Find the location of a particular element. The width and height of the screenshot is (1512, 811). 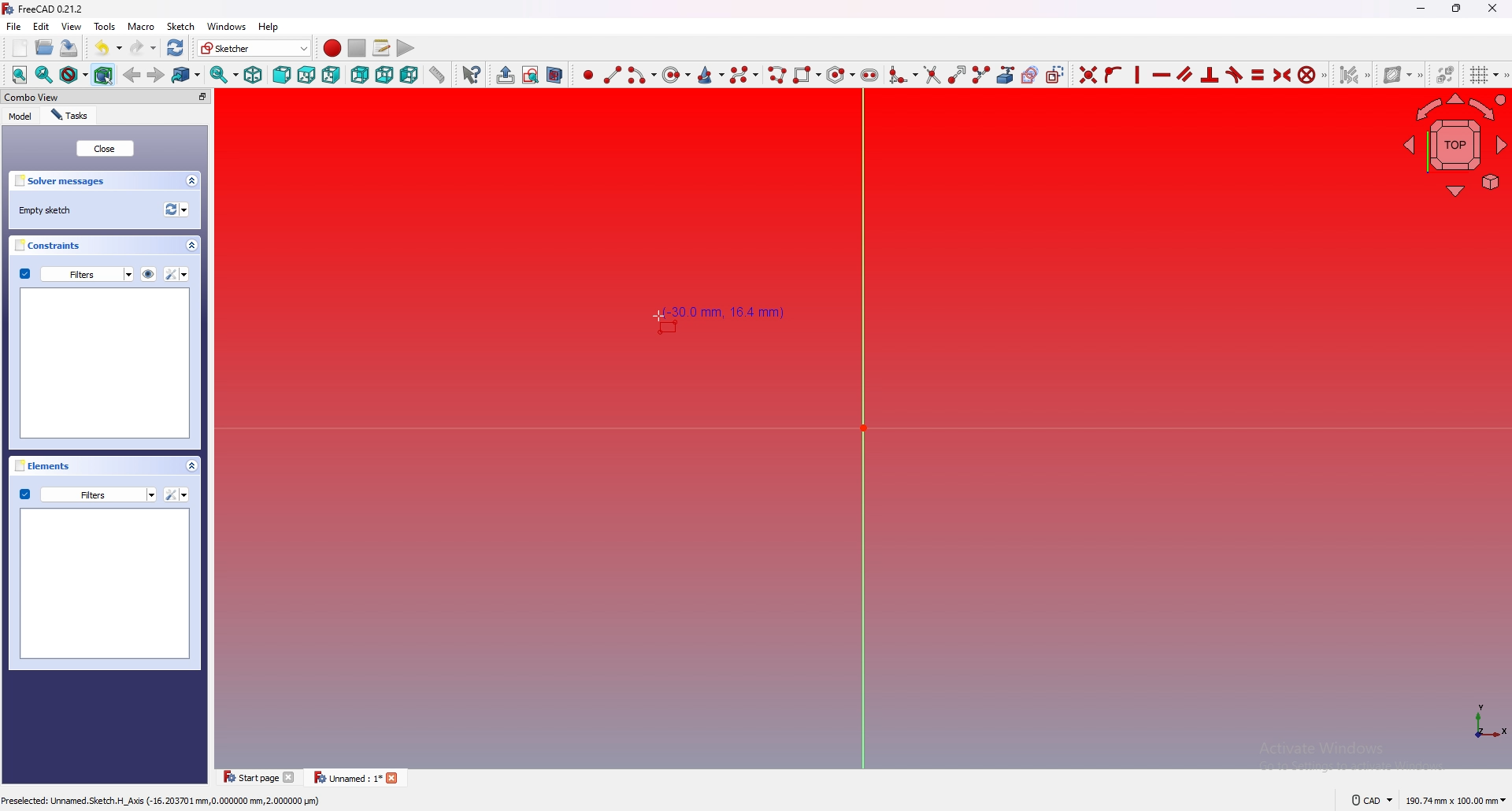

minimize is located at coordinates (1420, 8).